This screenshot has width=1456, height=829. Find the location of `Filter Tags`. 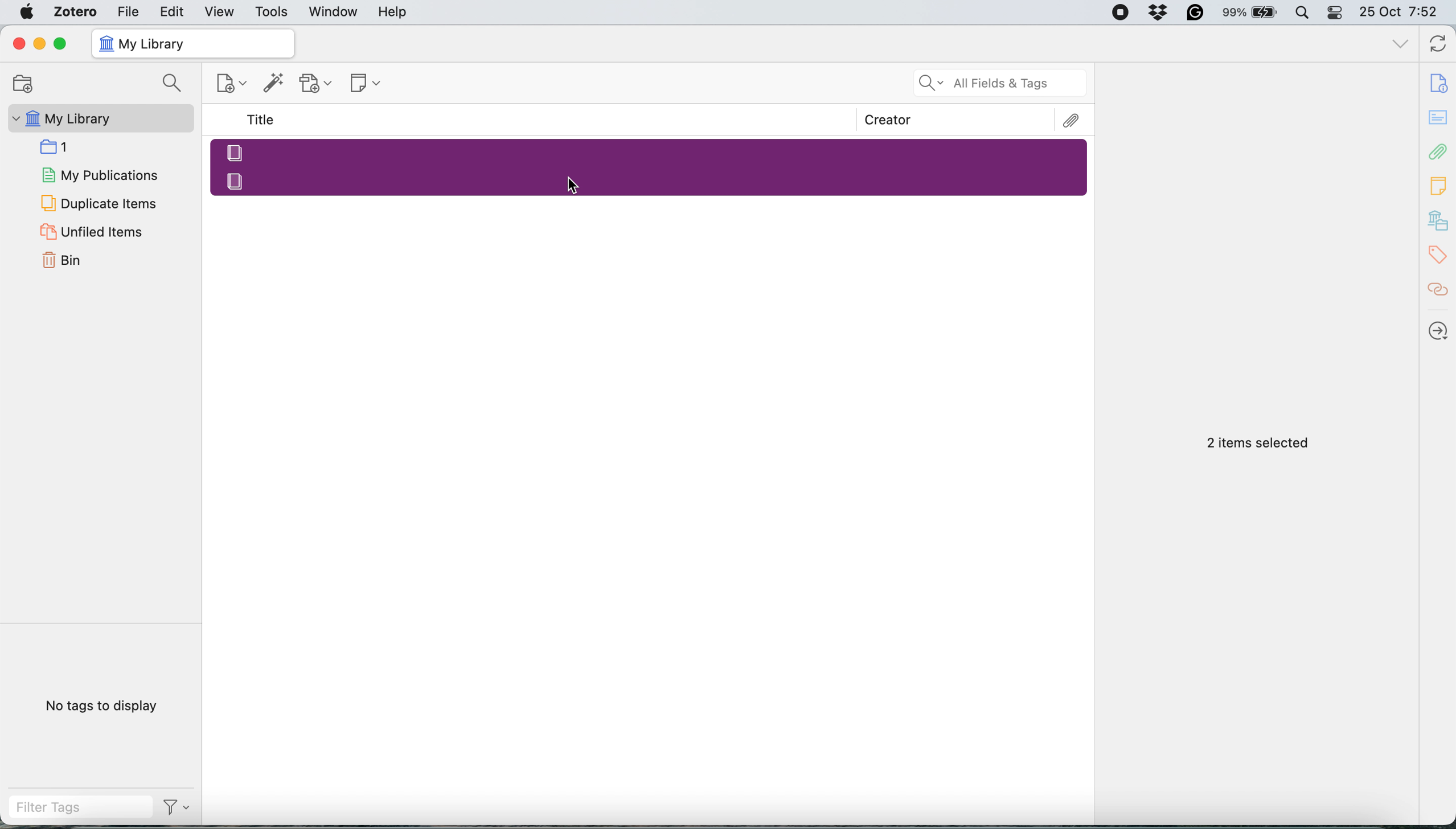

Filter Tags is located at coordinates (80, 807).